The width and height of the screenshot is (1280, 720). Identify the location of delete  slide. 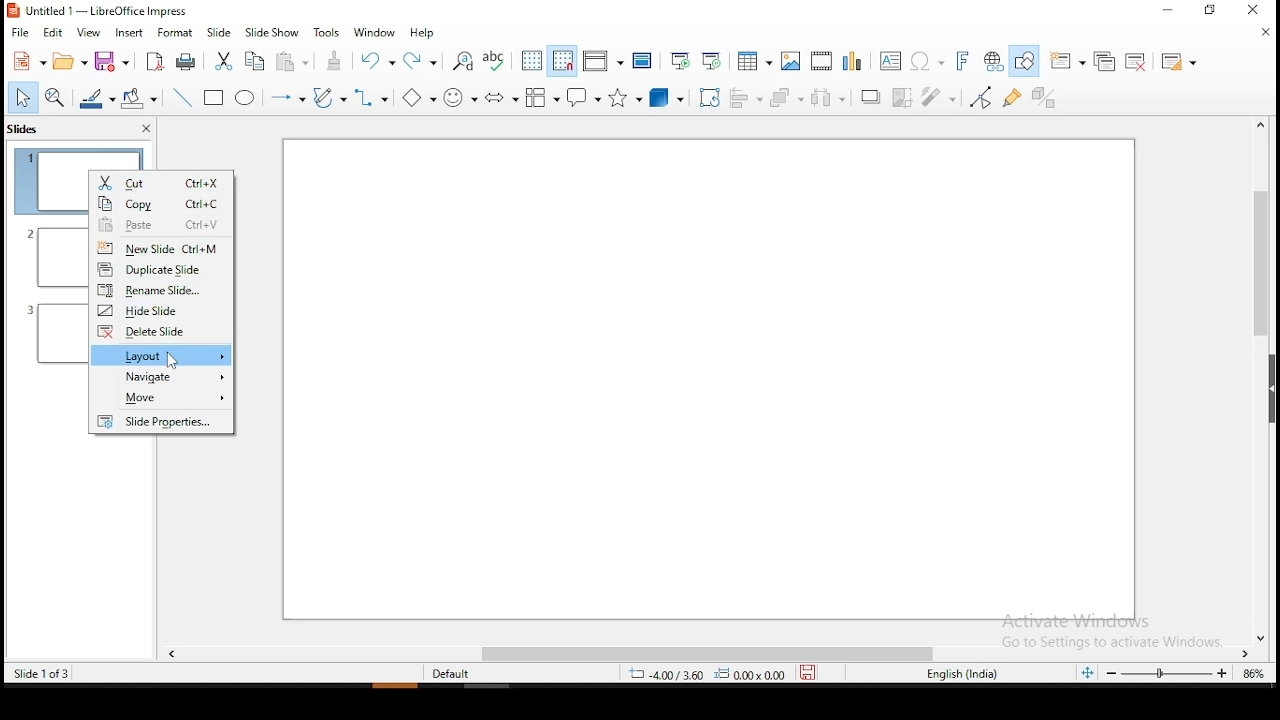
(1140, 62).